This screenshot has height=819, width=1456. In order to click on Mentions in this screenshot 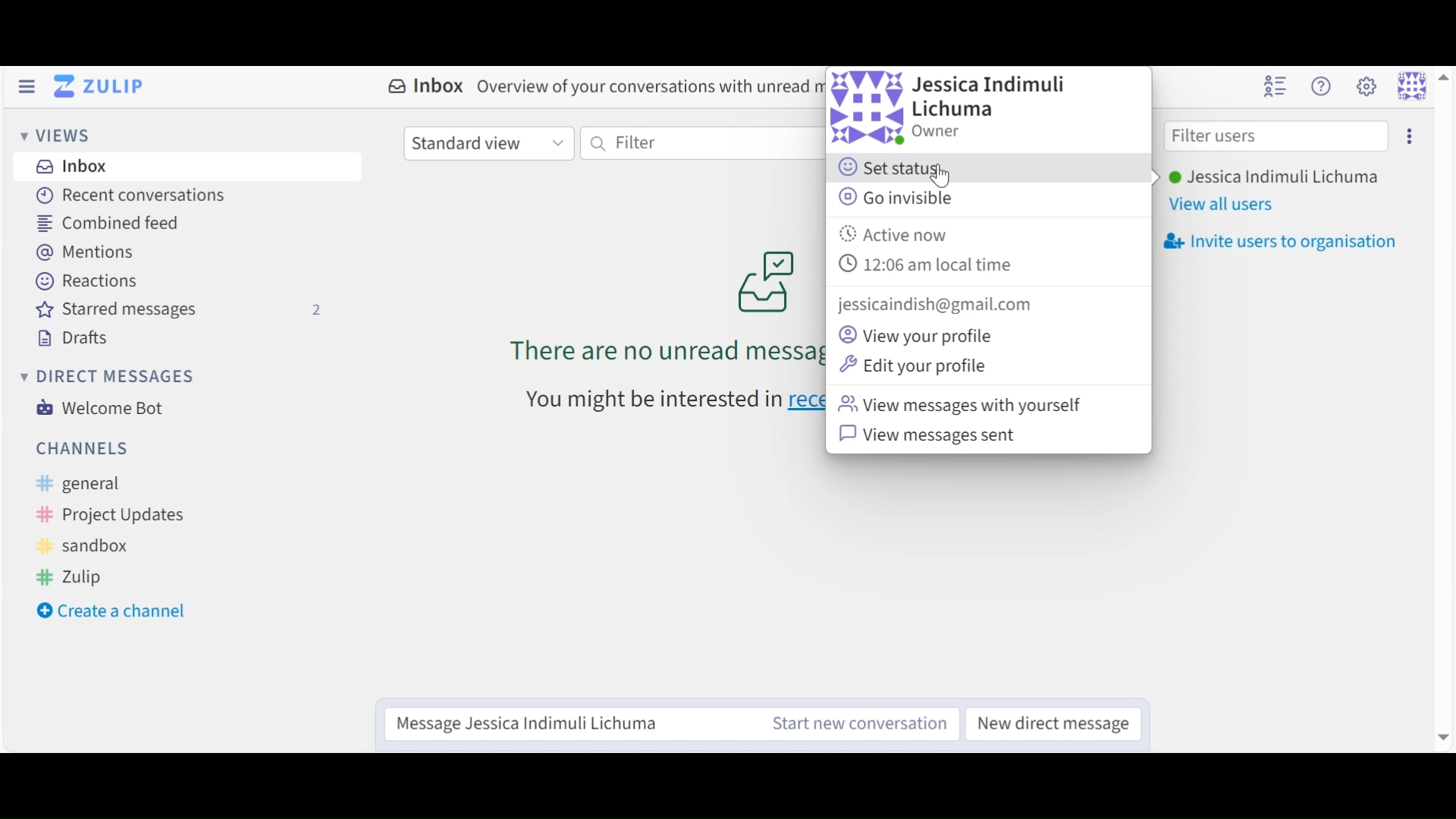, I will do `click(93, 253)`.